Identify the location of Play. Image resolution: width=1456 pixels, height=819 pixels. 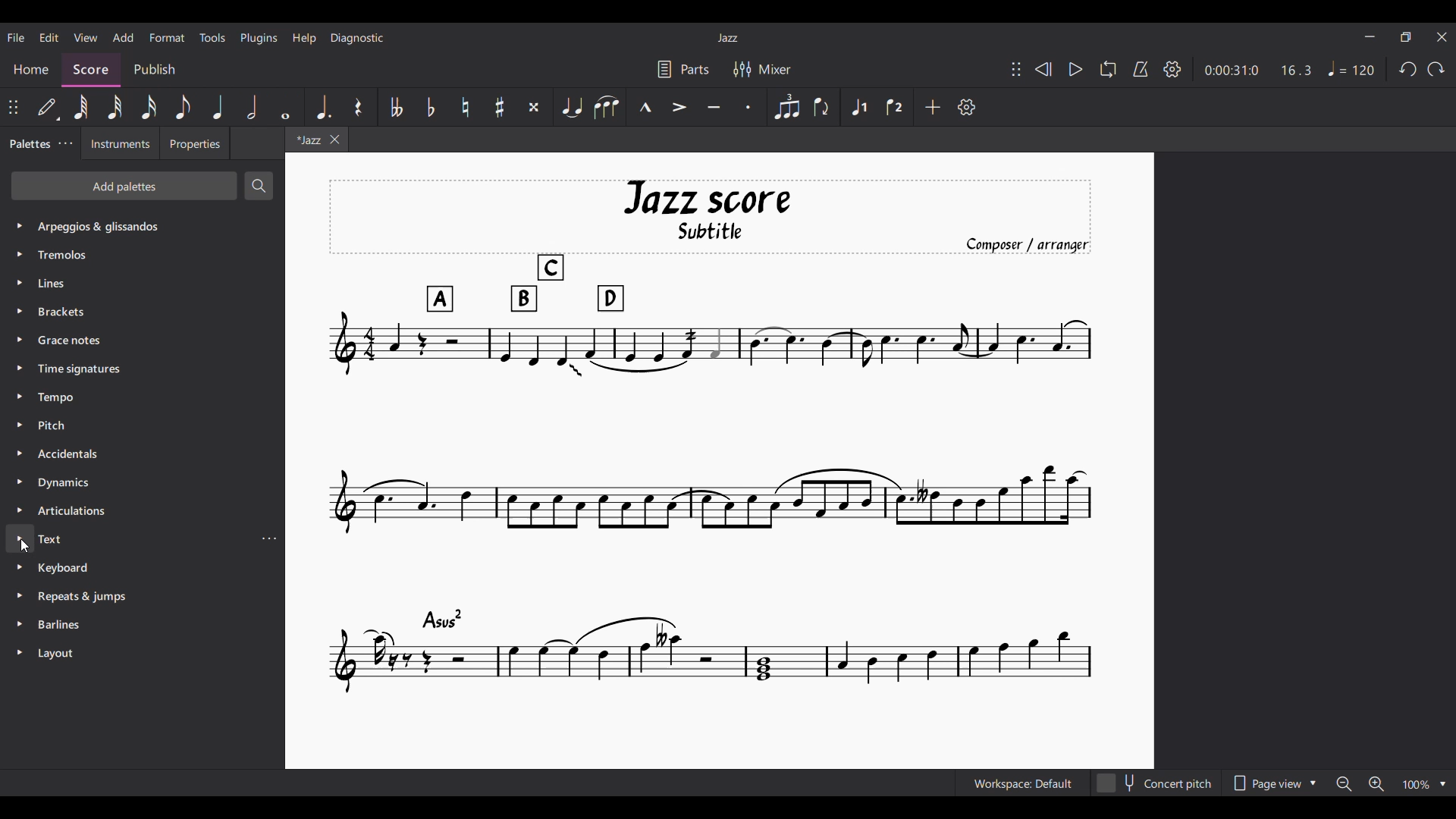
(1076, 69).